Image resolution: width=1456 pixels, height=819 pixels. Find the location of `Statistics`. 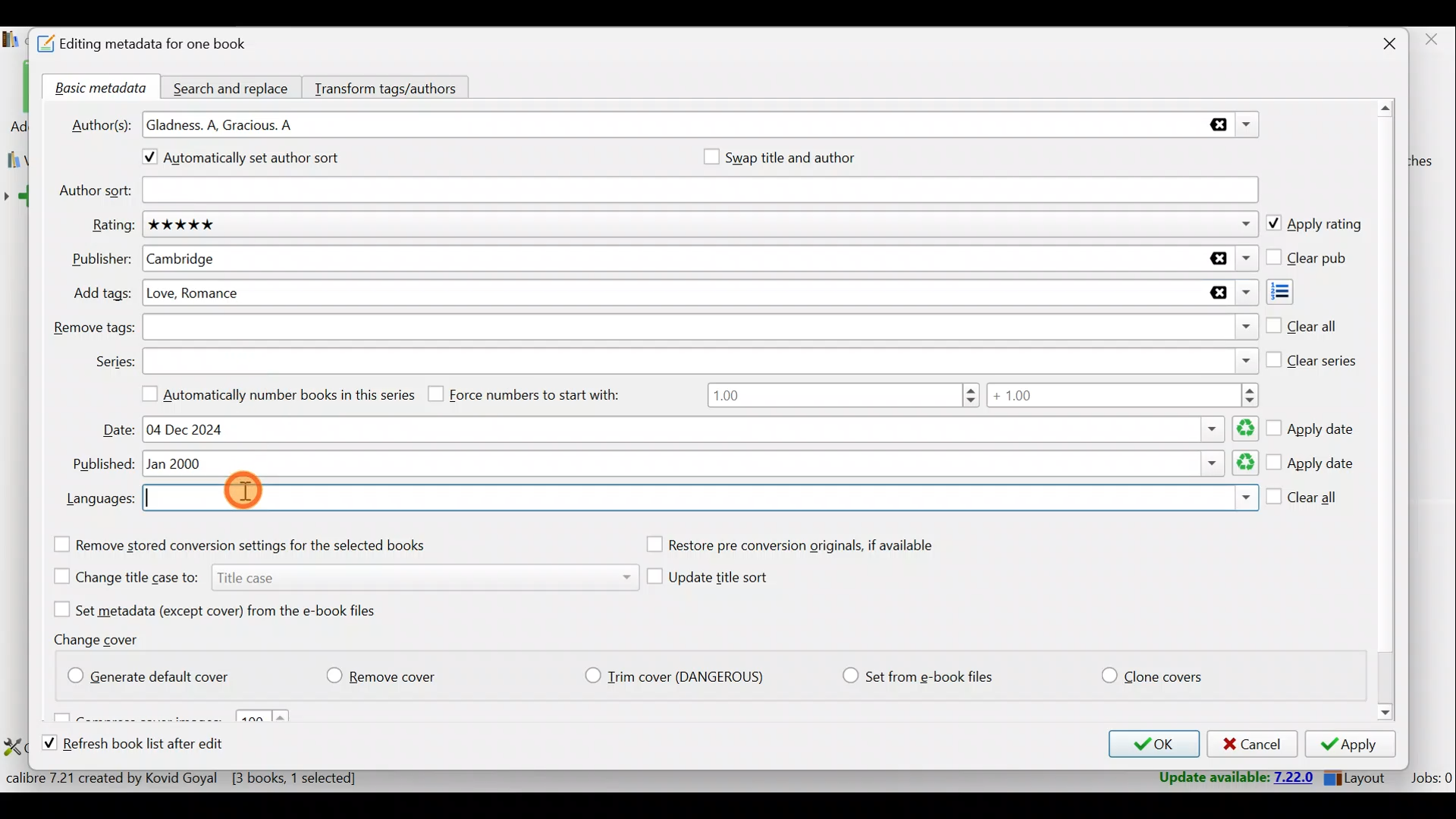

Statistics is located at coordinates (210, 777).